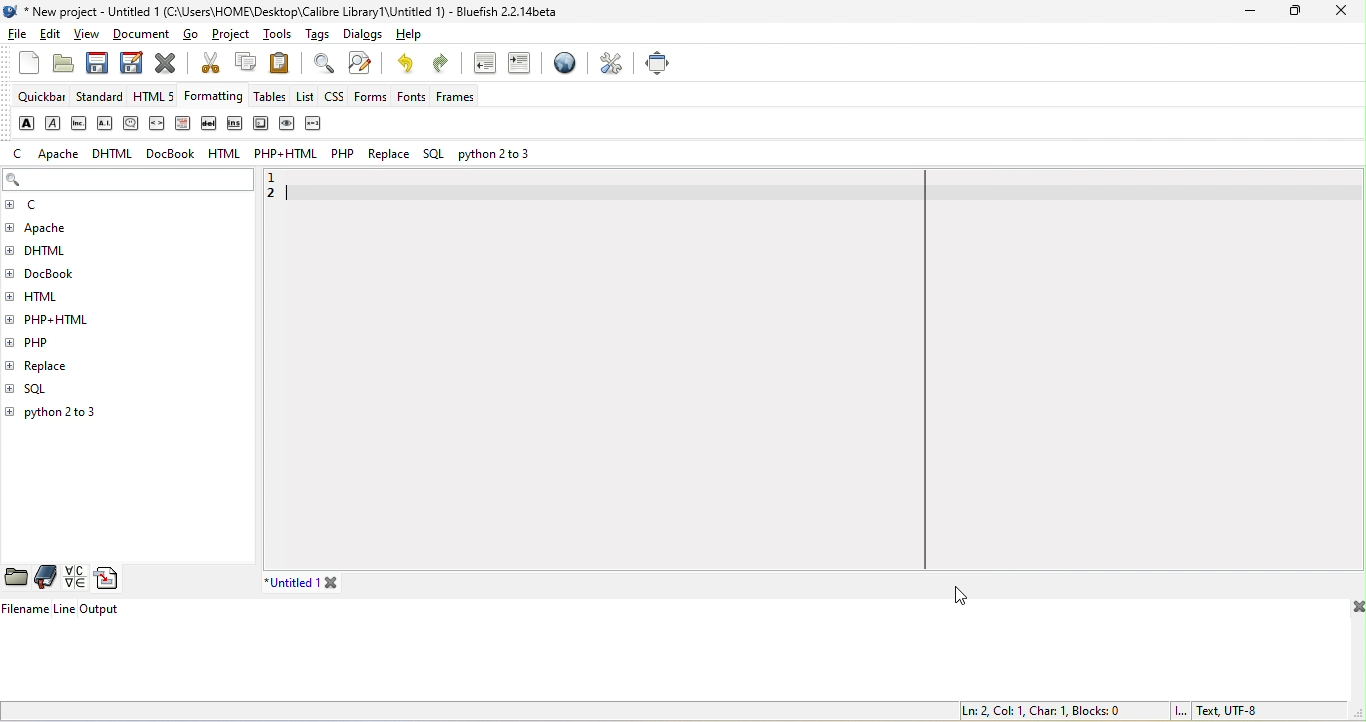 This screenshot has width=1366, height=722. I want to click on find, so click(320, 63).